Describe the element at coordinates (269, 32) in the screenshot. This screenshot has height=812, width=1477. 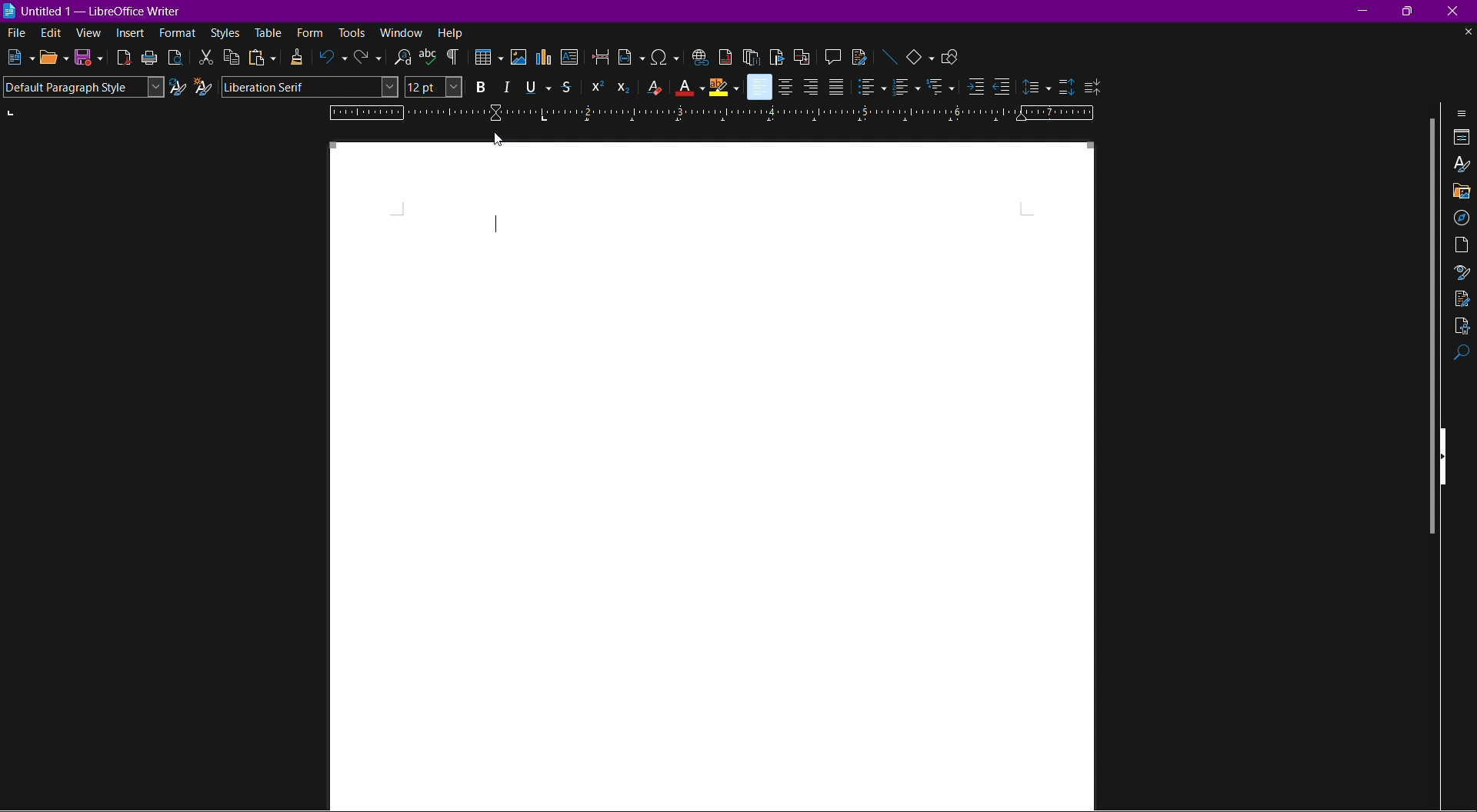
I see `table` at that location.